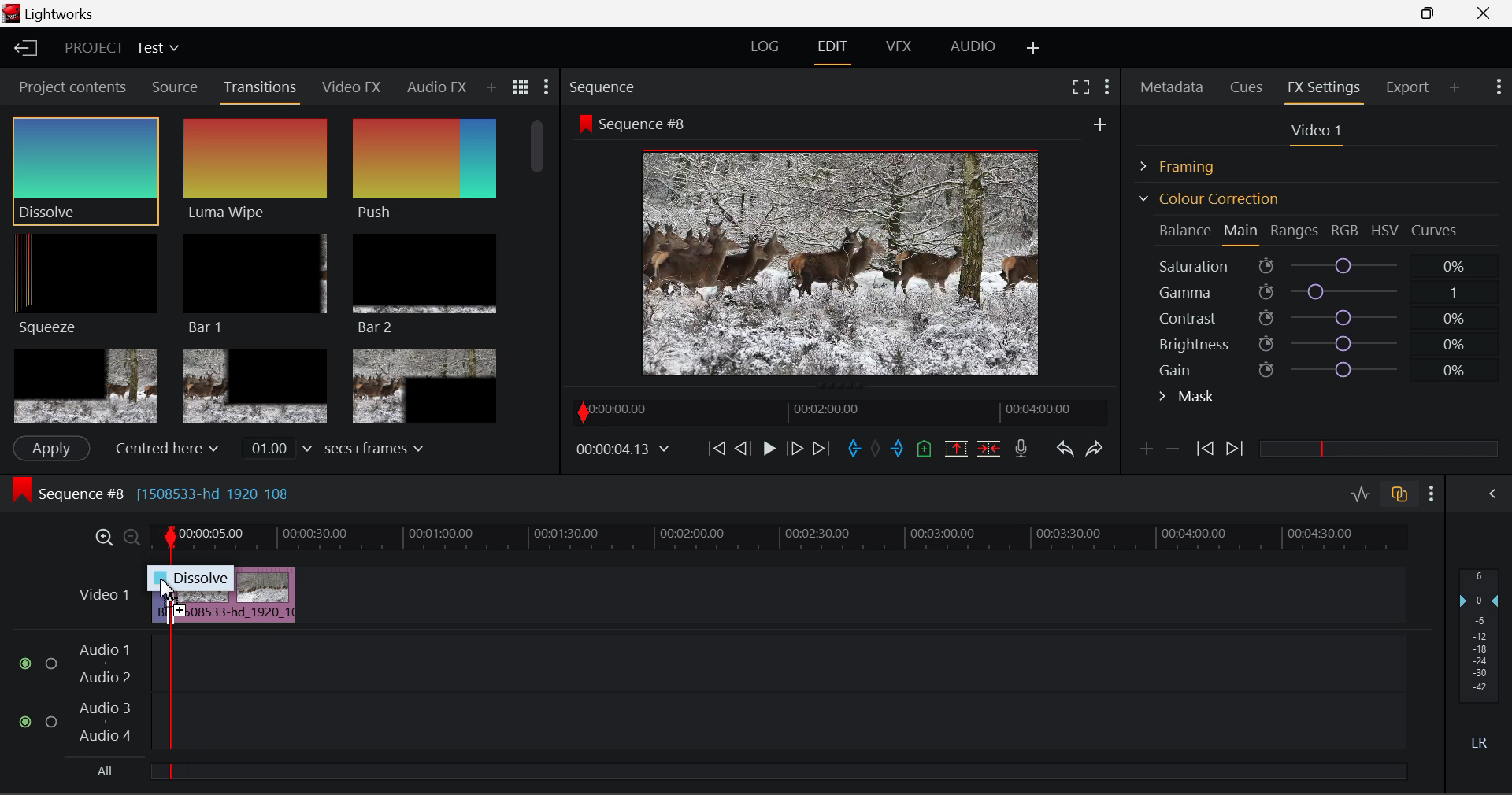 This screenshot has height=795, width=1512. What do you see at coordinates (72, 91) in the screenshot?
I see `Project contents` at bounding box center [72, 91].